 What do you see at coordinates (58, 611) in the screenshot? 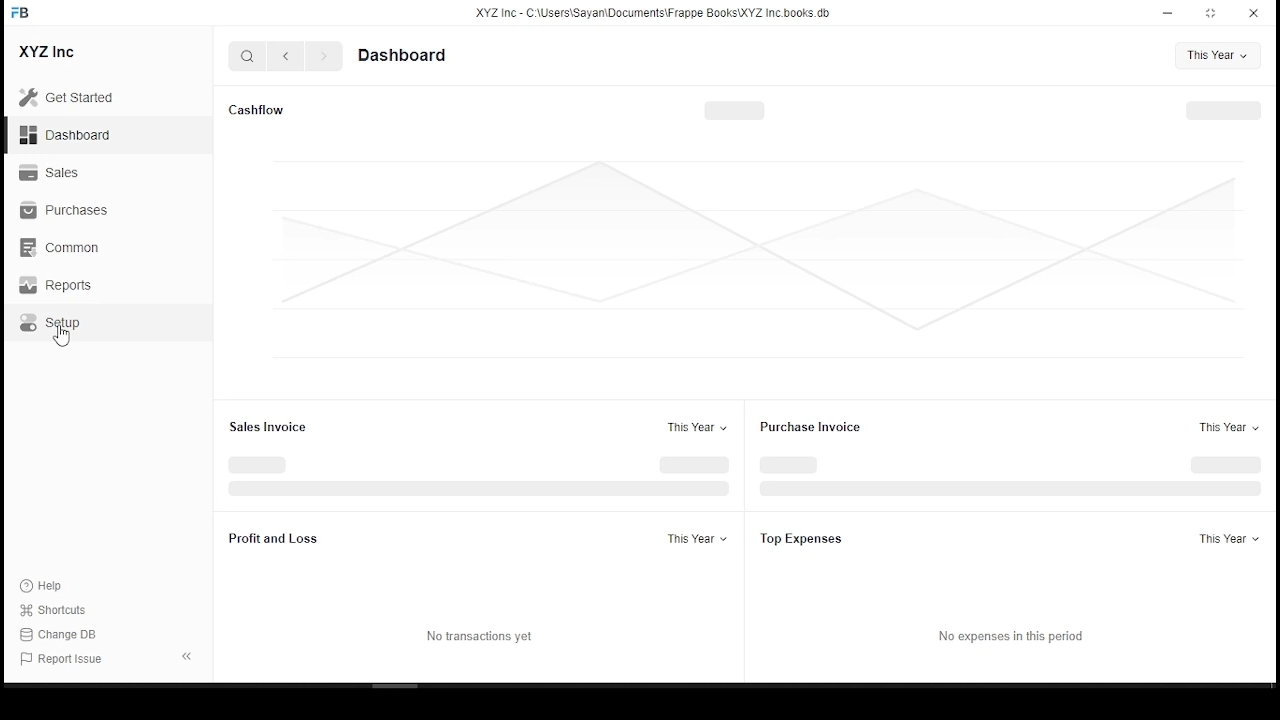
I see `shortcuts` at bounding box center [58, 611].